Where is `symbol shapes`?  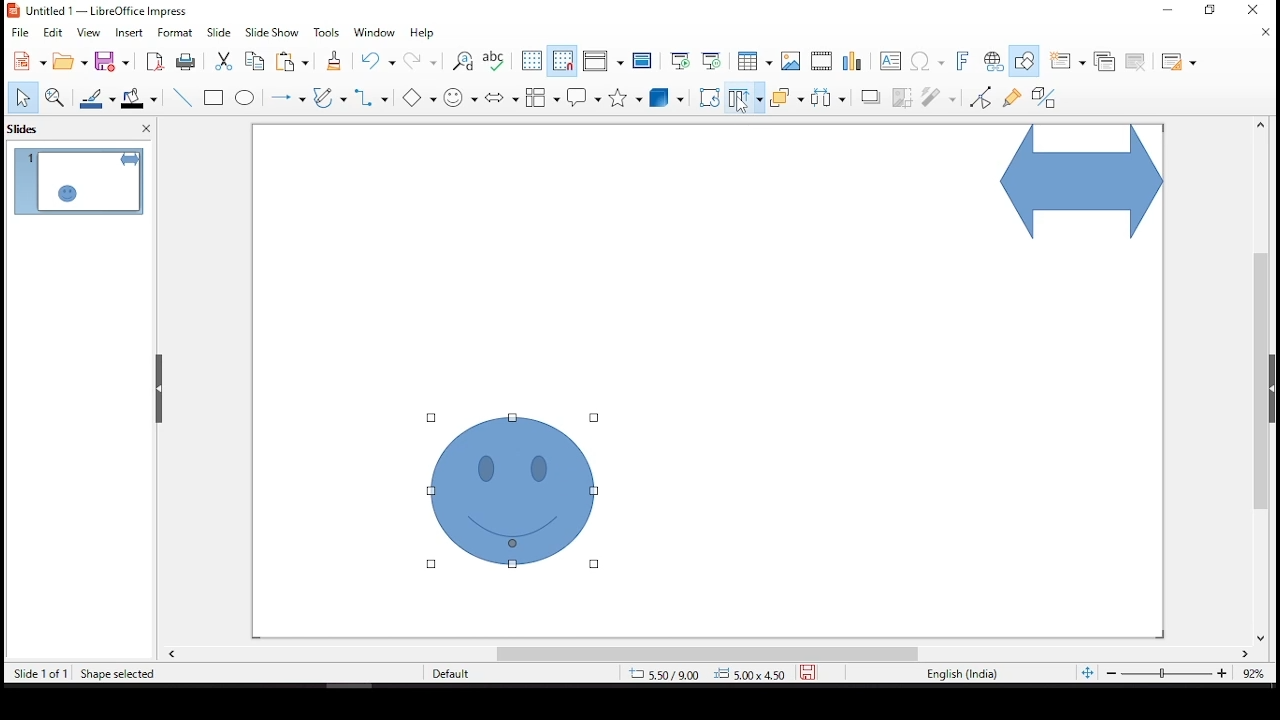 symbol shapes is located at coordinates (463, 96).